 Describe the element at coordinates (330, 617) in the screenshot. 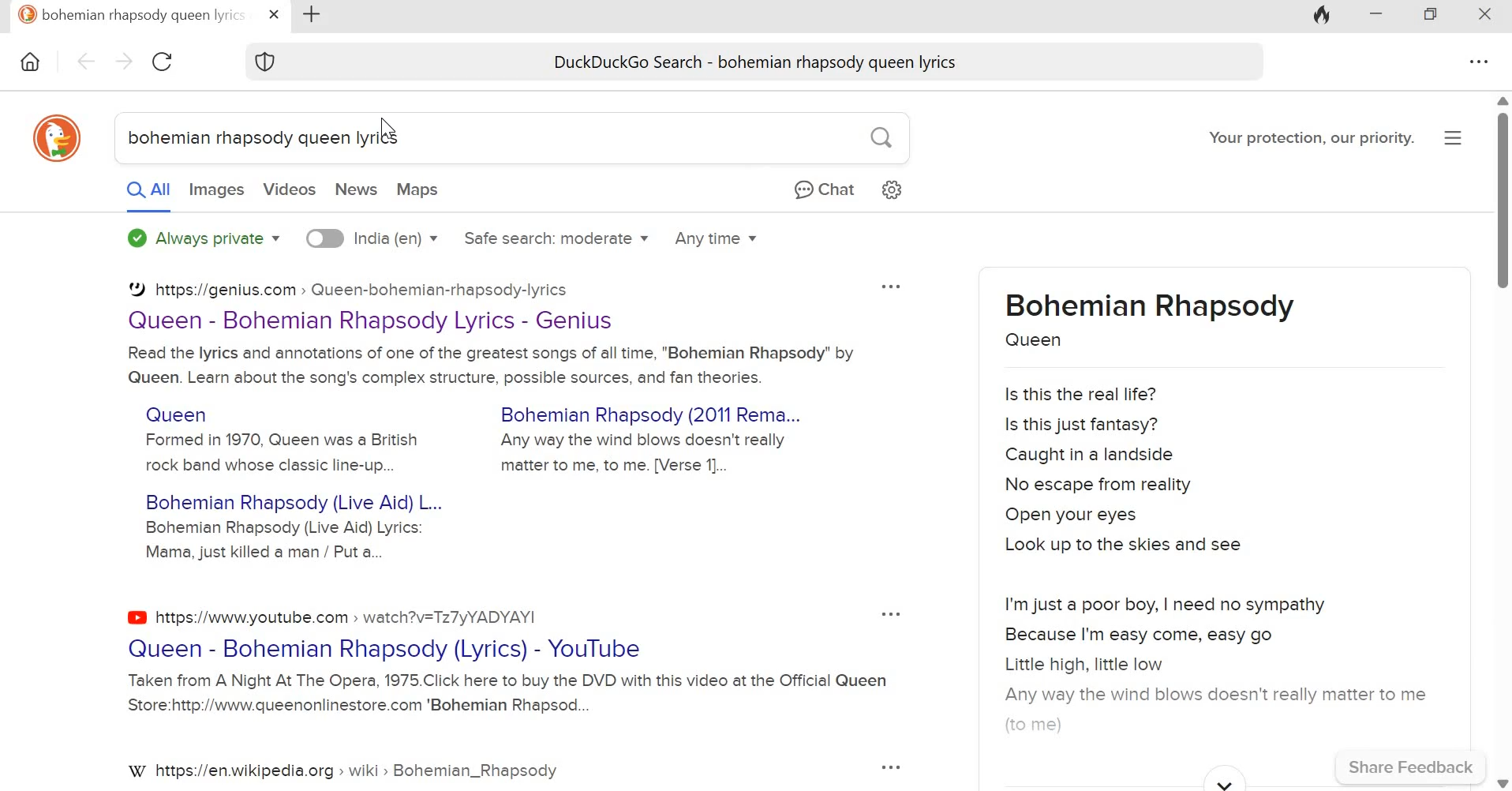

I see `https://www.youtube.com > watch?v=Tz7yYADYAY!|` at that location.